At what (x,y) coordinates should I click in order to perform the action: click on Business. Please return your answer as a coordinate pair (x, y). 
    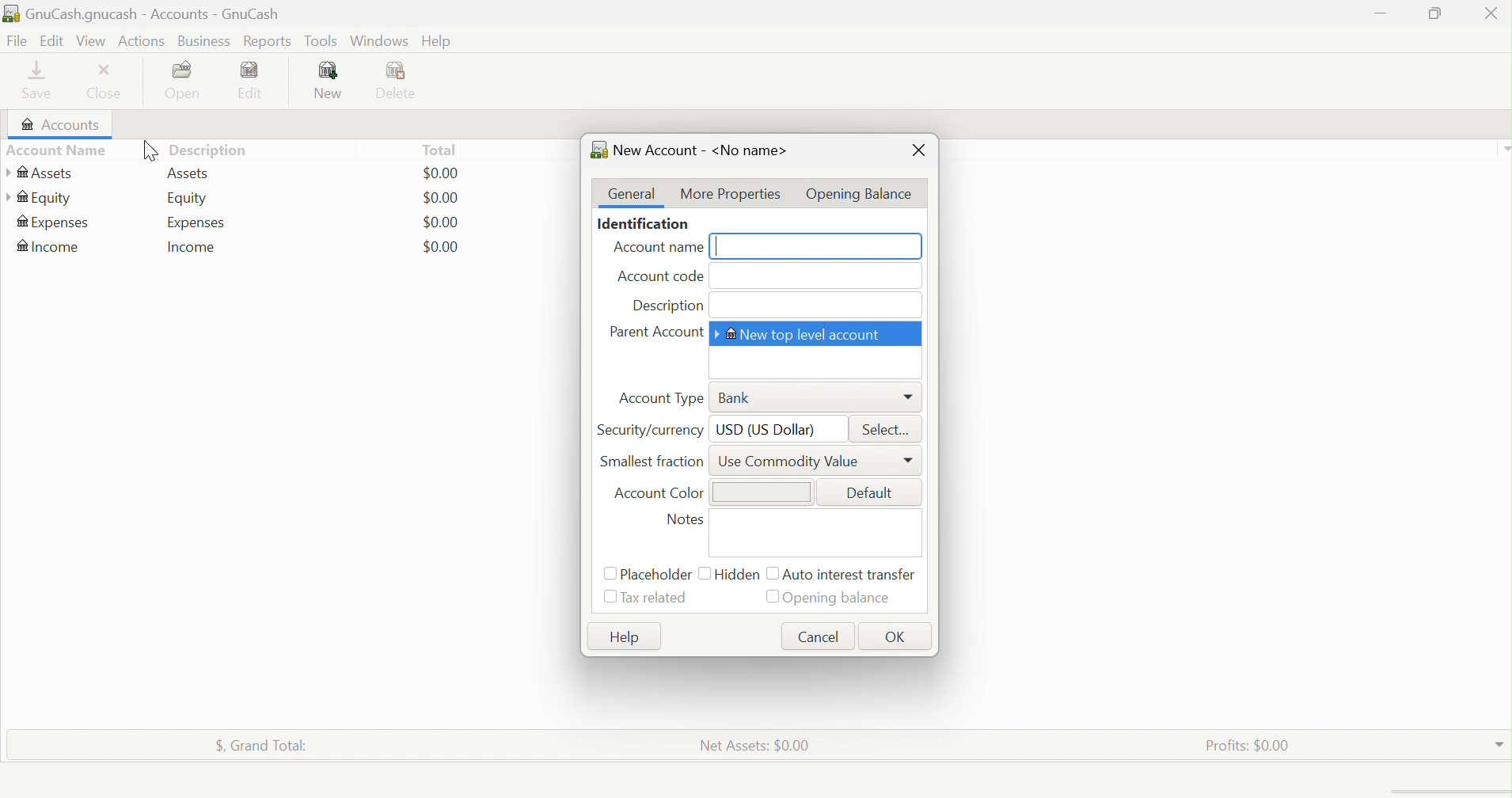
    Looking at the image, I should click on (205, 42).